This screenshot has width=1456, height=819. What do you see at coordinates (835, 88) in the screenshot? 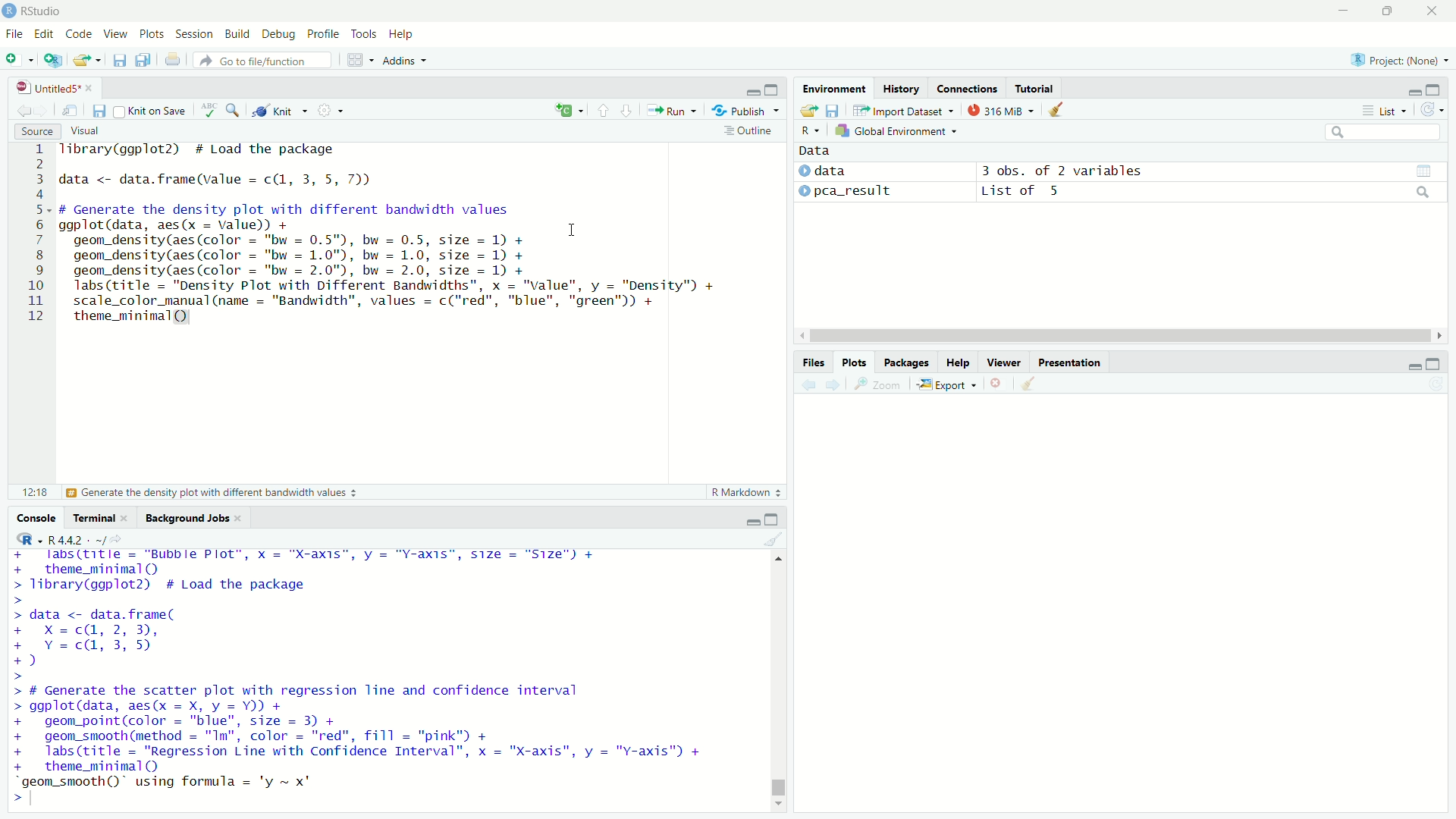
I see `Environment` at bounding box center [835, 88].